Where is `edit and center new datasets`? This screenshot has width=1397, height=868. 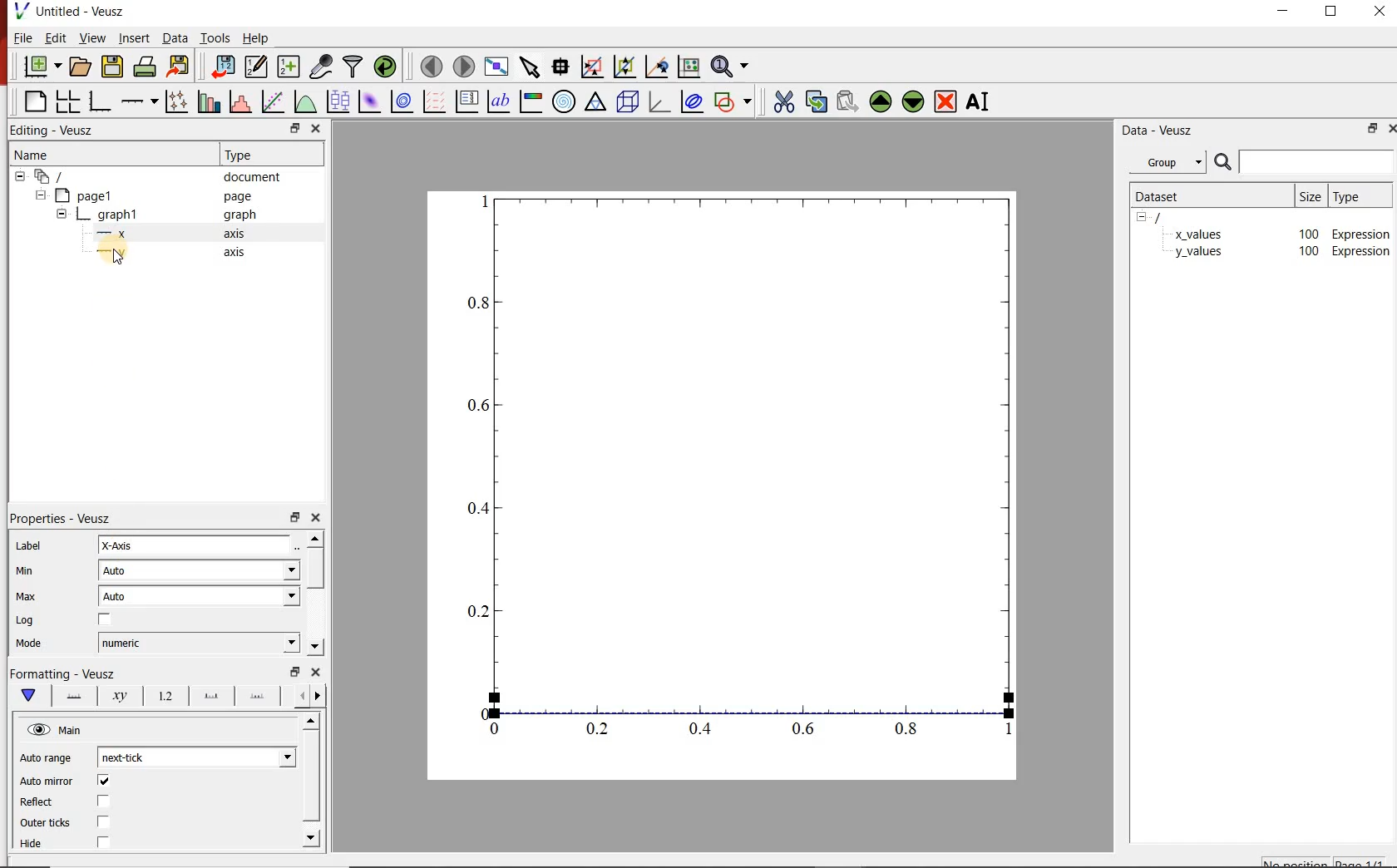
edit and center new datasets is located at coordinates (258, 67).